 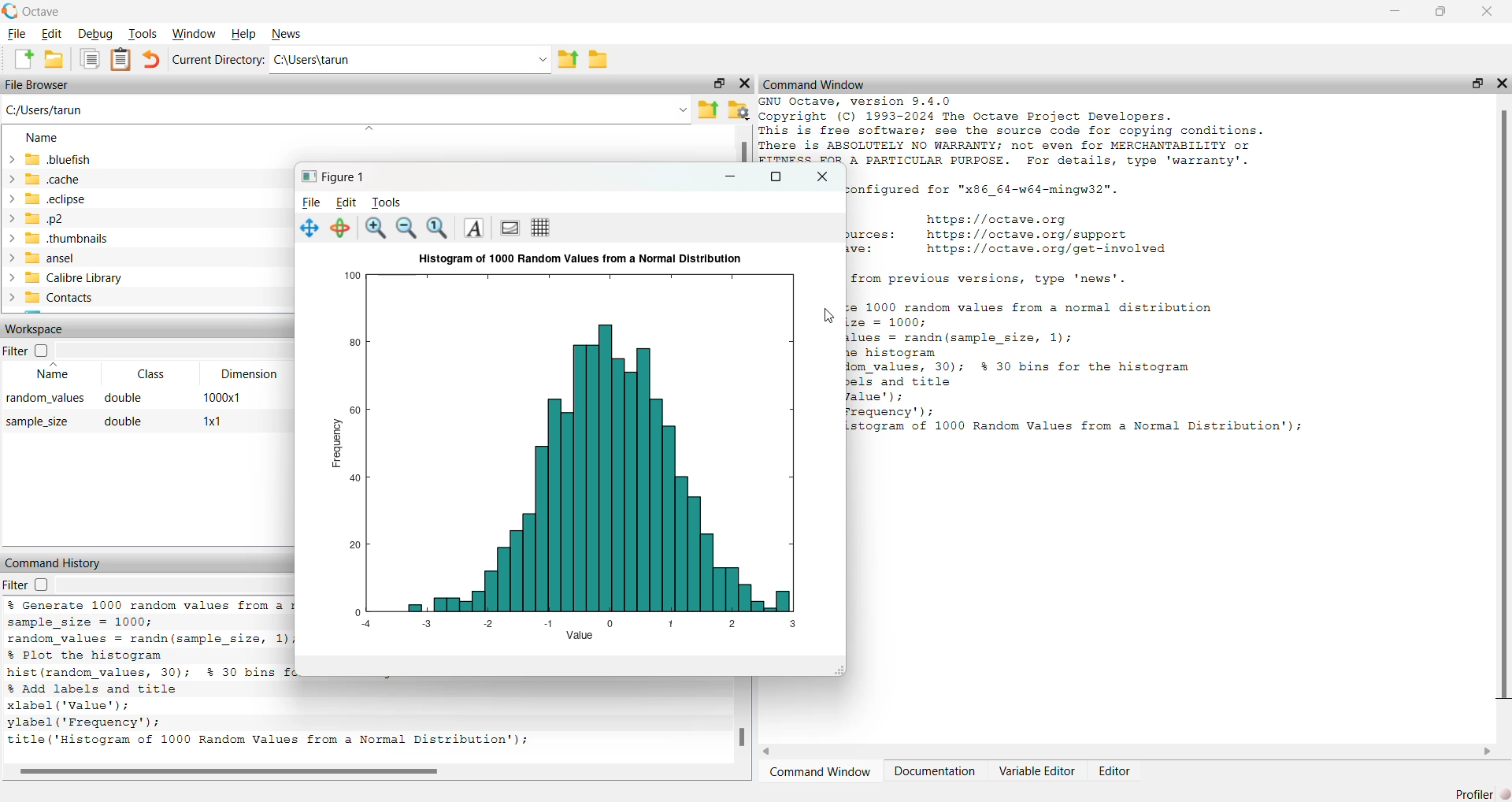 I want to click on Filter, so click(x=29, y=585).